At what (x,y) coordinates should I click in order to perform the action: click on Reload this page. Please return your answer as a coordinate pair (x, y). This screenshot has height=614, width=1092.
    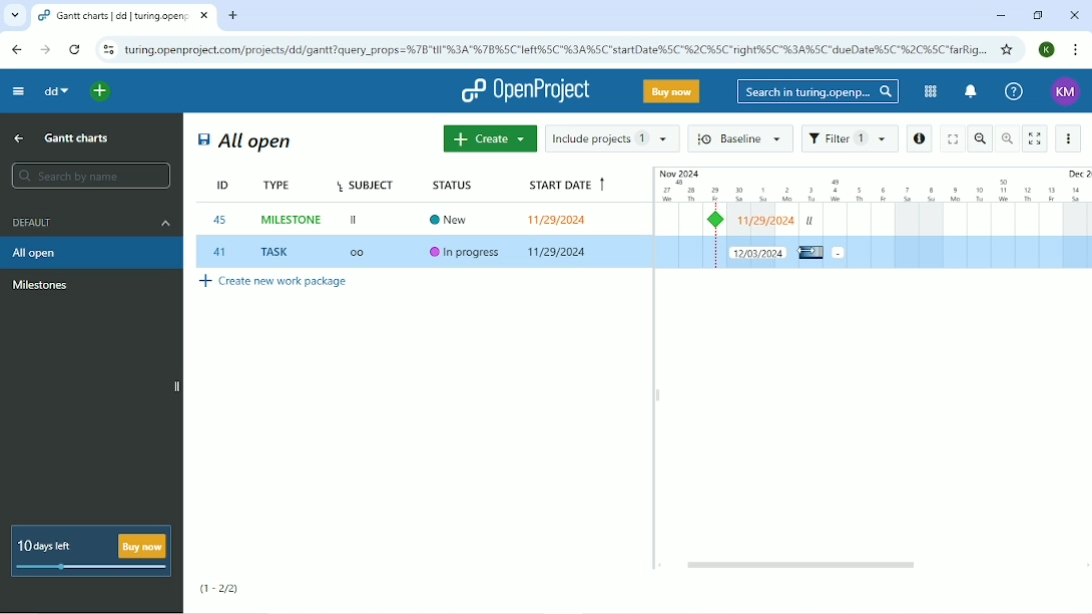
    Looking at the image, I should click on (75, 49).